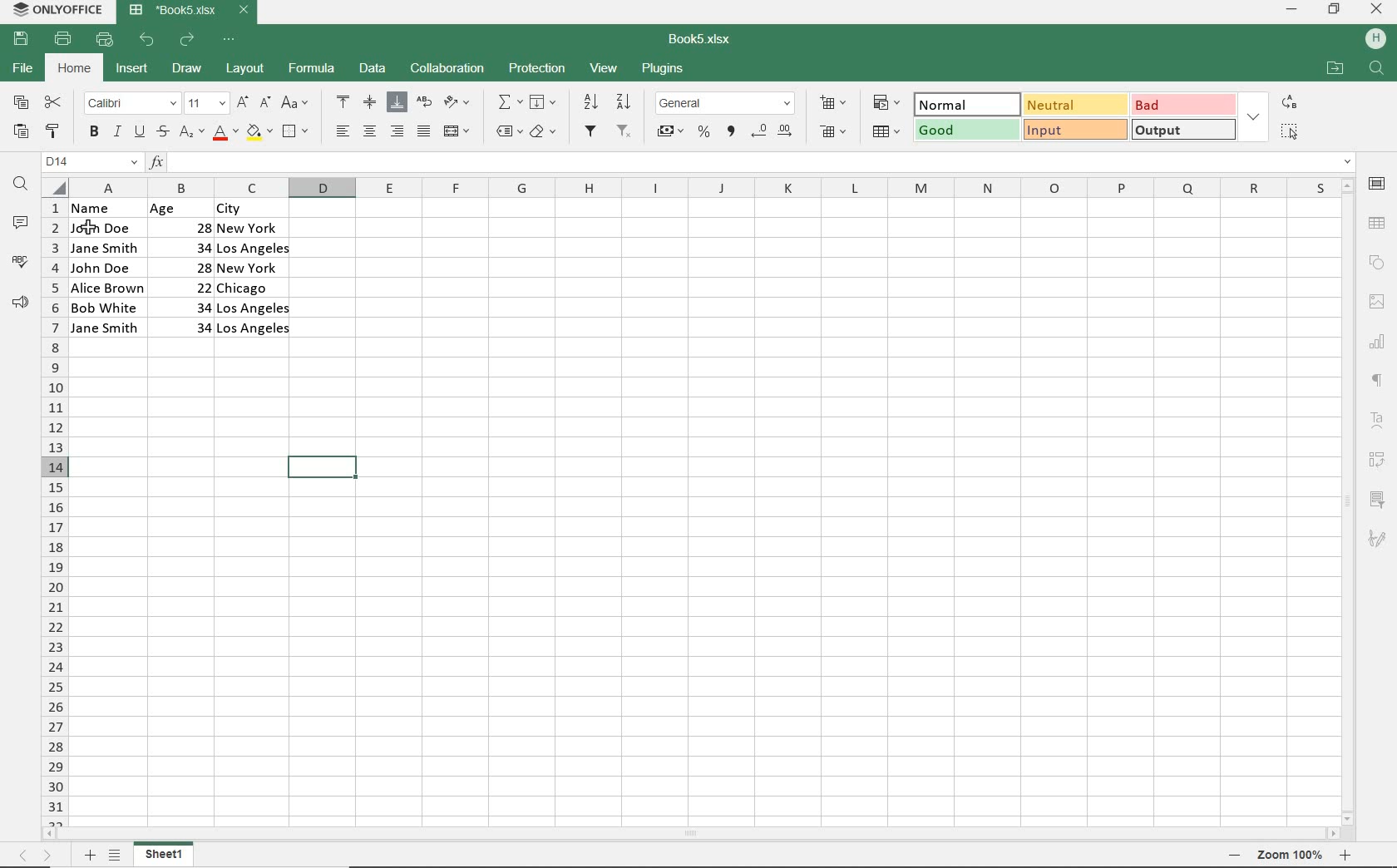 The width and height of the screenshot is (1397, 868). Describe the element at coordinates (323, 466) in the screenshot. I see `SELECTED CELLS` at that location.